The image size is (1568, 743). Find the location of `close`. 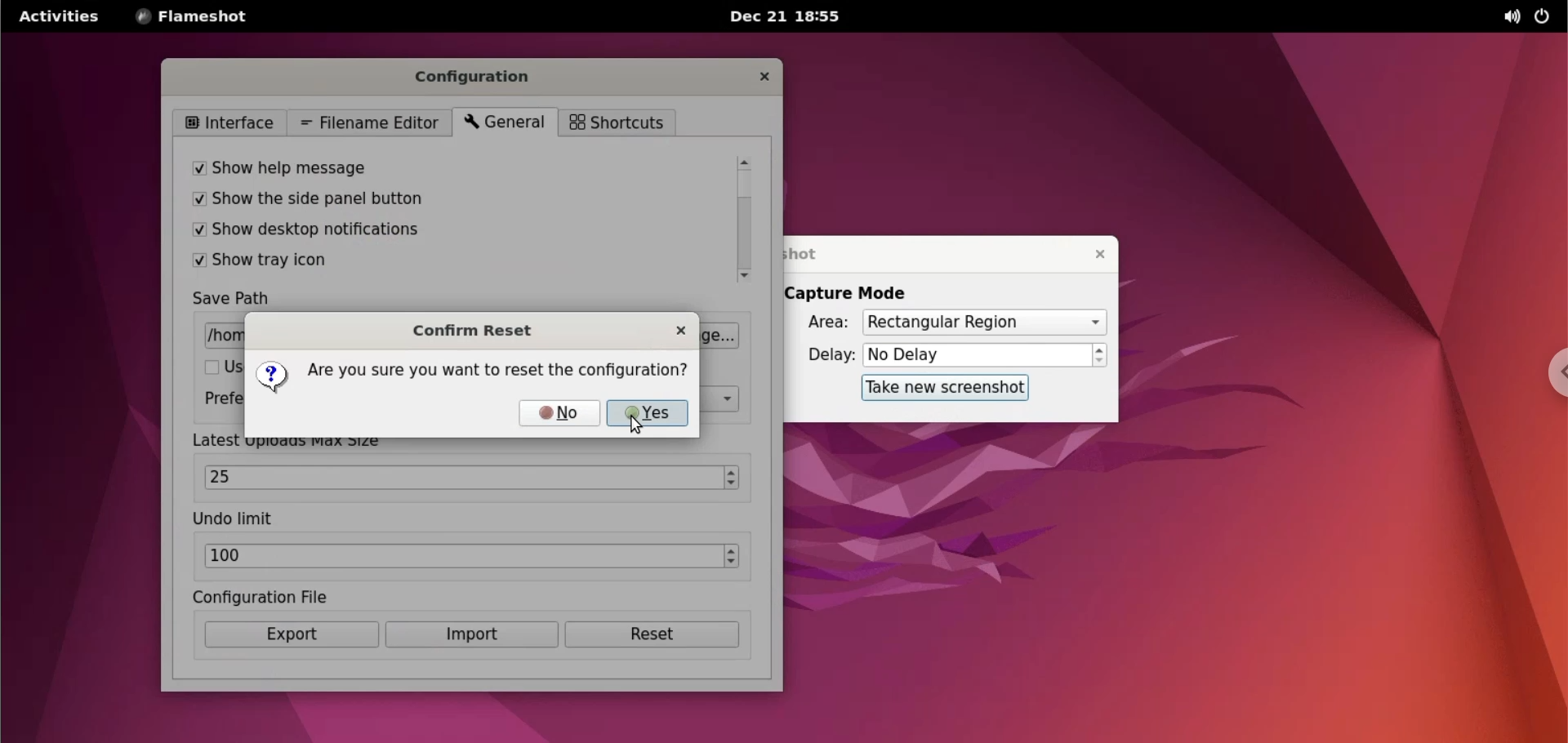

close is located at coordinates (1092, 254).